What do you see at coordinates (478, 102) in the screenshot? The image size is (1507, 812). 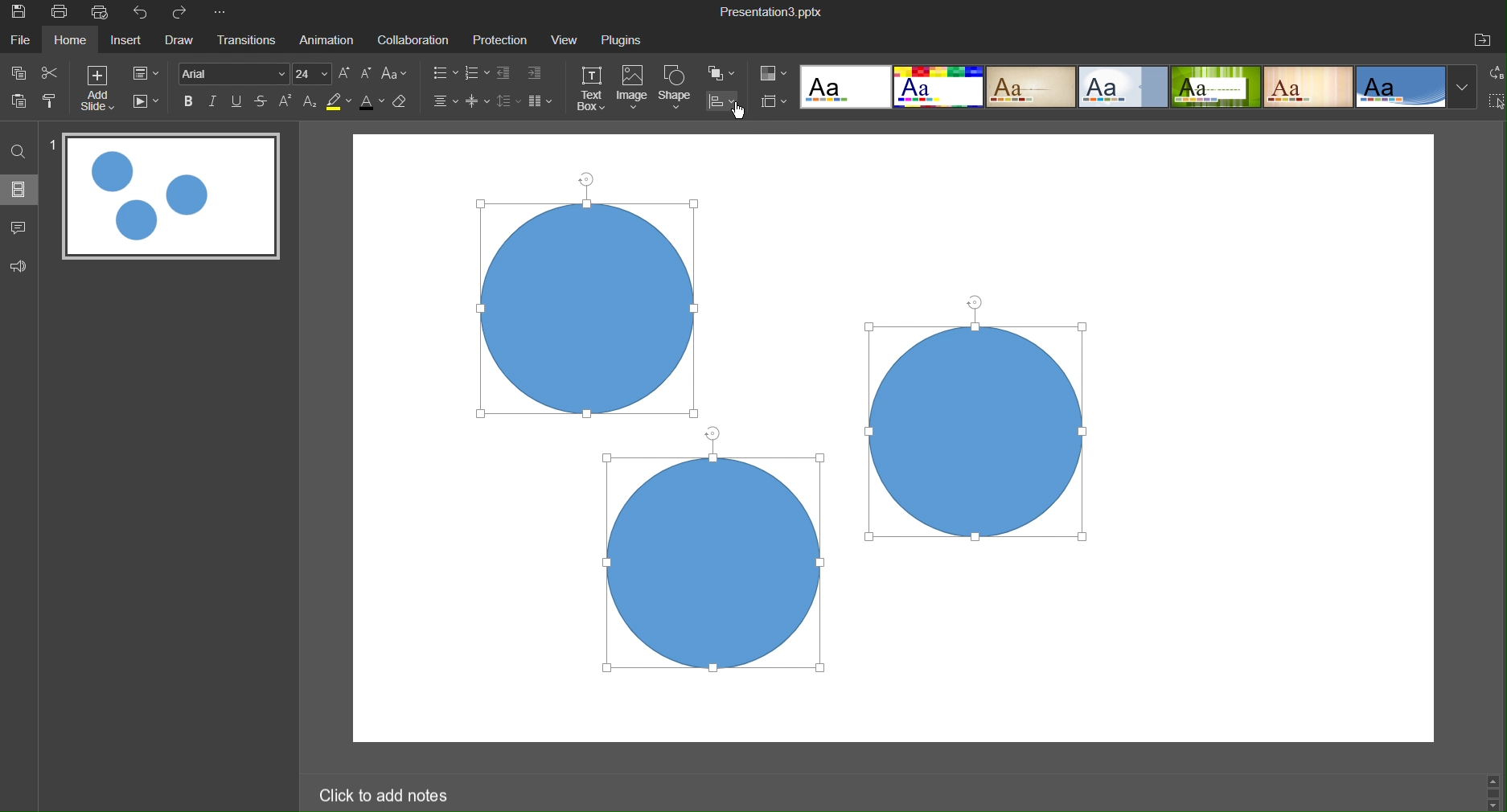 I see `Vertical Align` at bounding box center [478, 102].